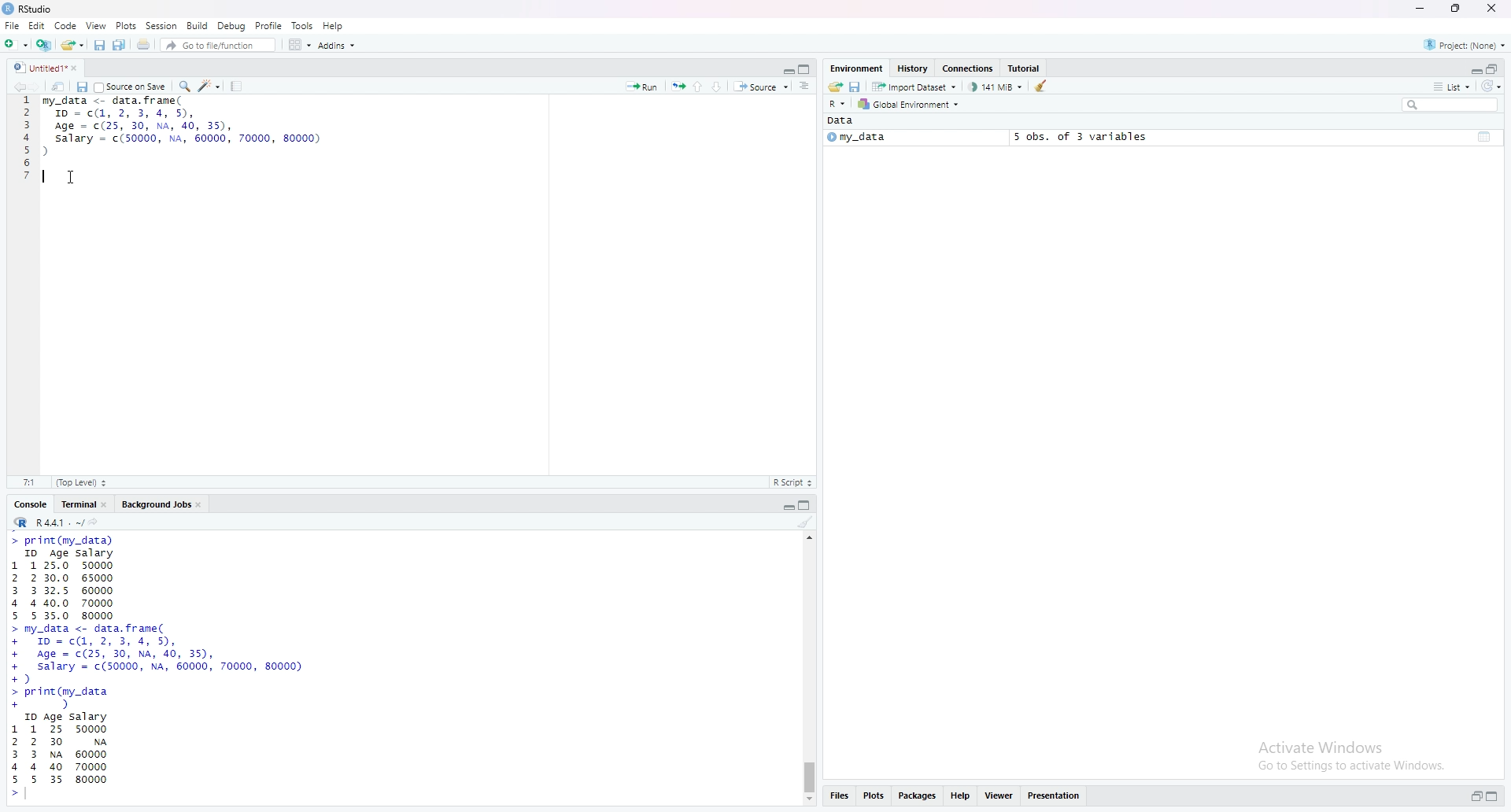 The width and height of the screenshot is (1511, 812). Describe the element at coordinates (209, 85) in the screenshot. I see `code tools` at that location.